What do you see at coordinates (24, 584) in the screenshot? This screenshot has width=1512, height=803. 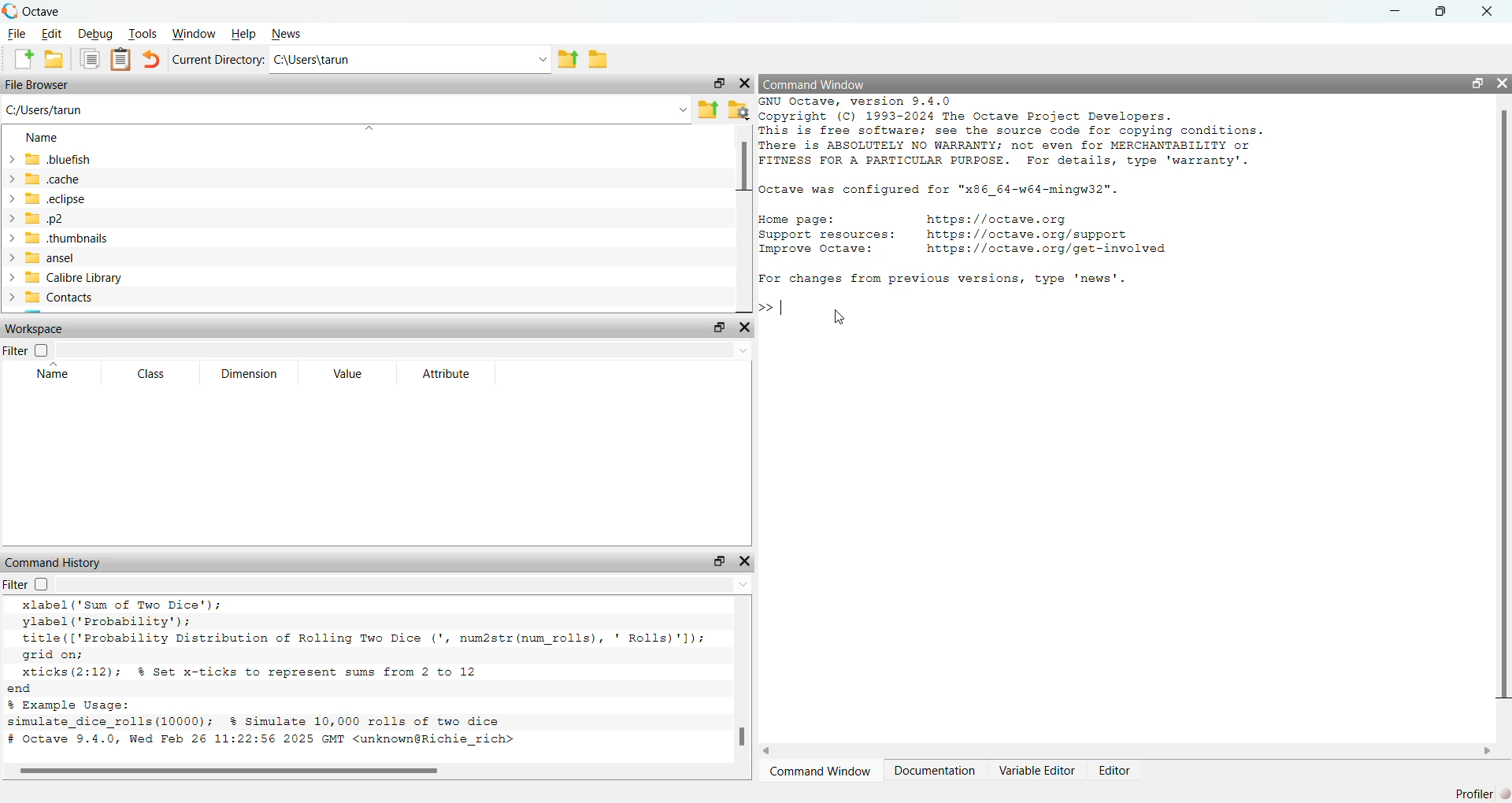 I see `Filter` at bounding box center [24, 584].